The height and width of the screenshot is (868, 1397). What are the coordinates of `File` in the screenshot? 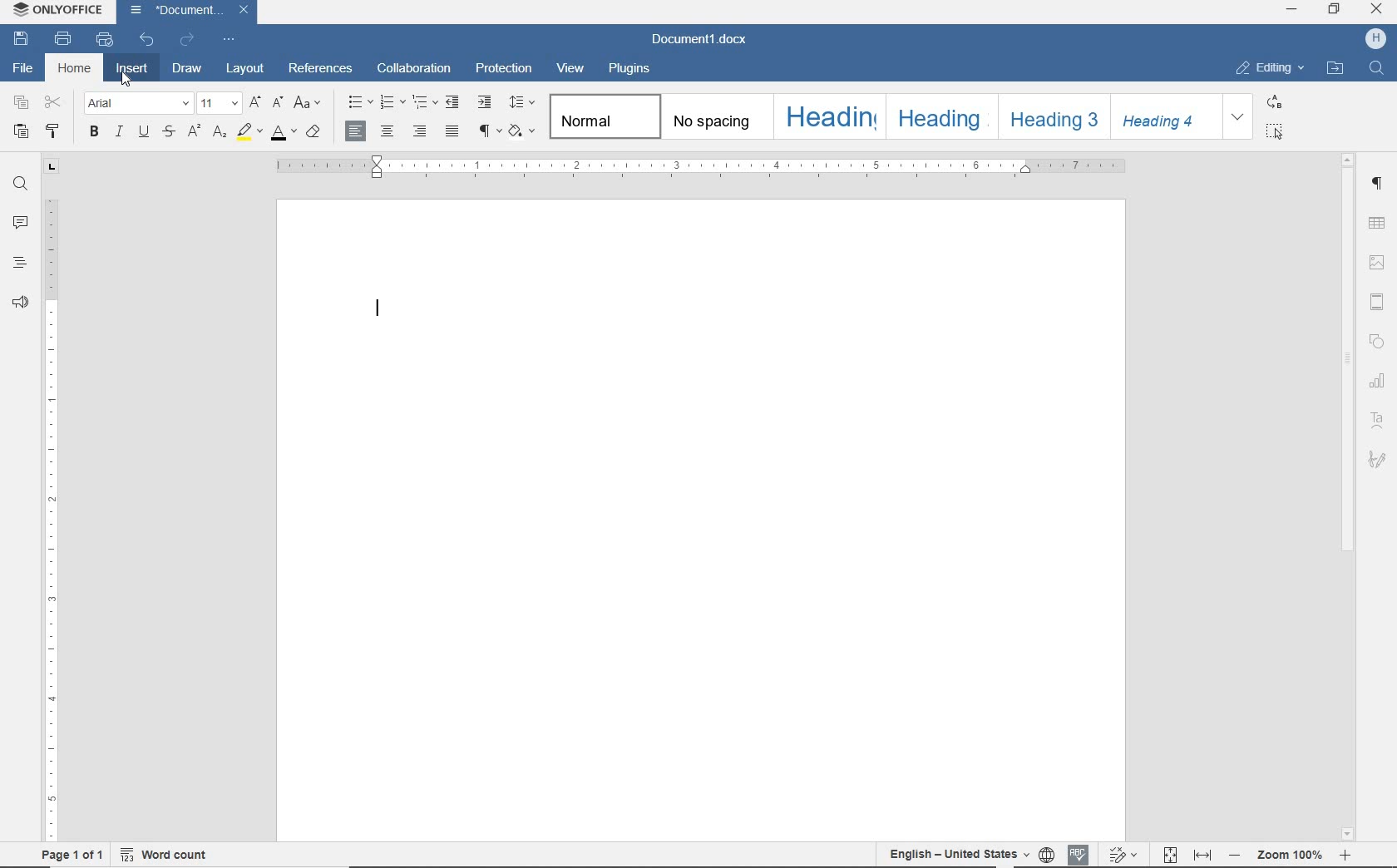 It's located at (23, 67).